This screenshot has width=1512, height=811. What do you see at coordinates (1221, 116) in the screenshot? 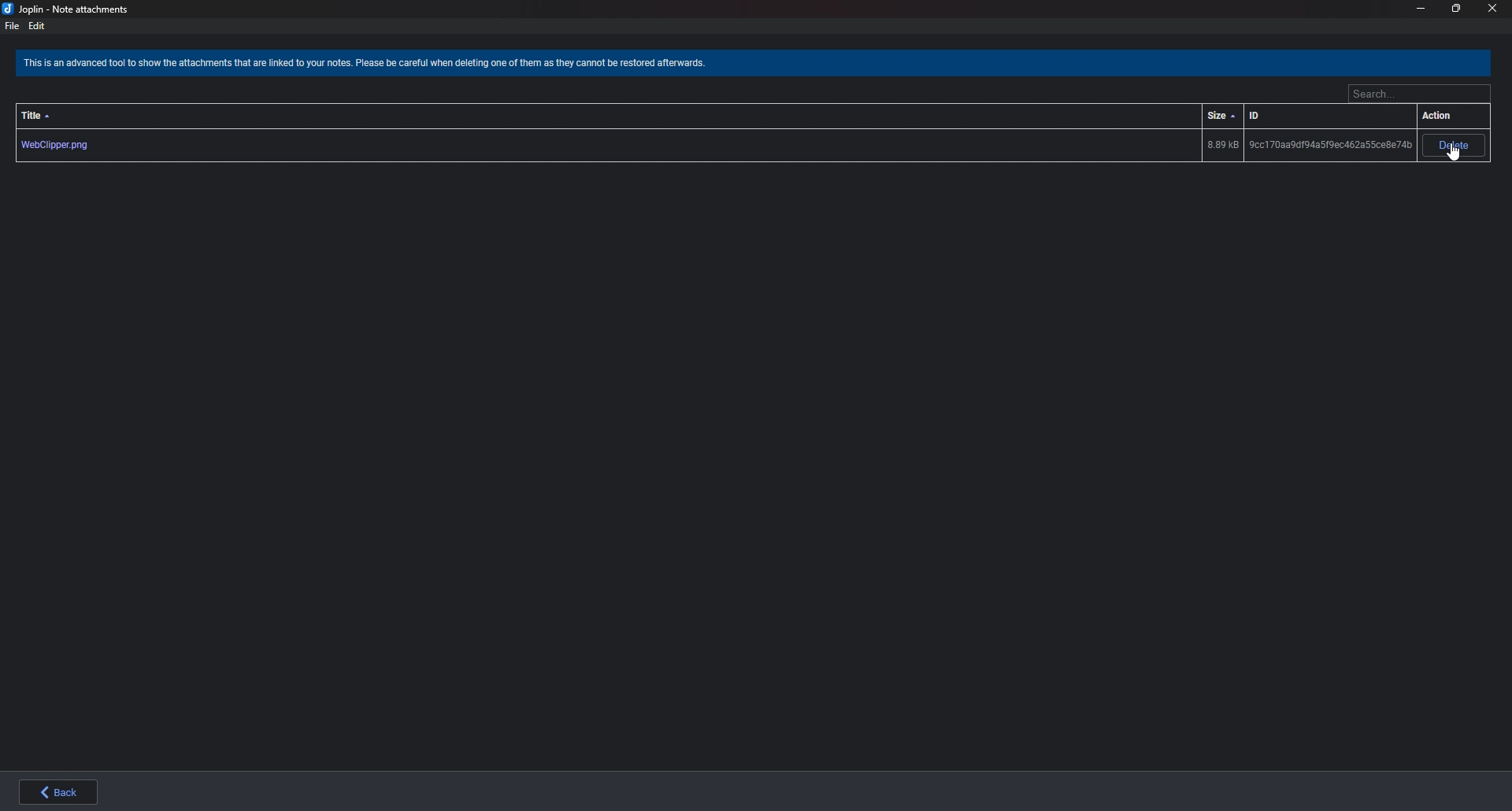
I see `size` at bounding box center [1221, 116].